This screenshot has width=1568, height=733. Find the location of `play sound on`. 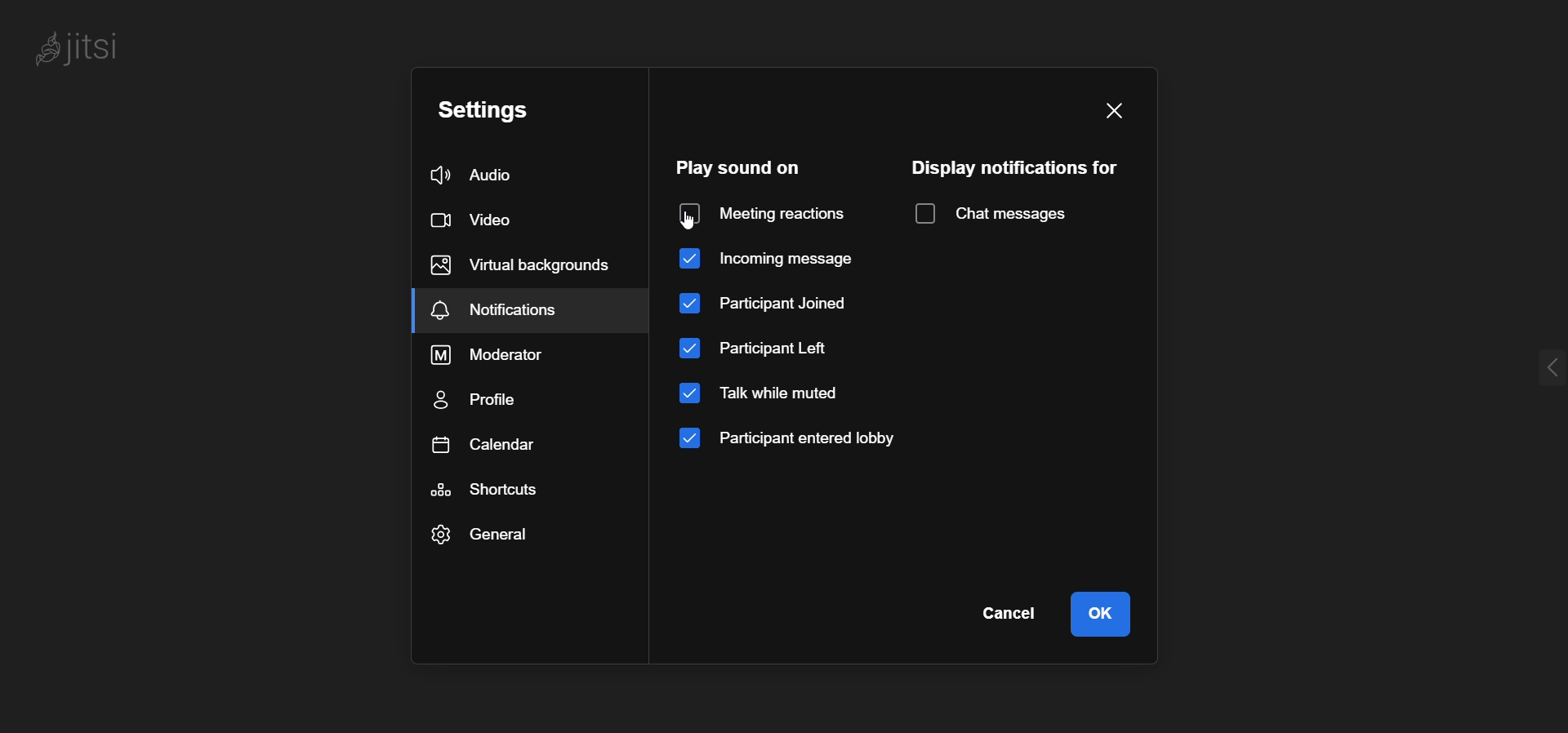

play sound on is located at coordinates (749, 167).